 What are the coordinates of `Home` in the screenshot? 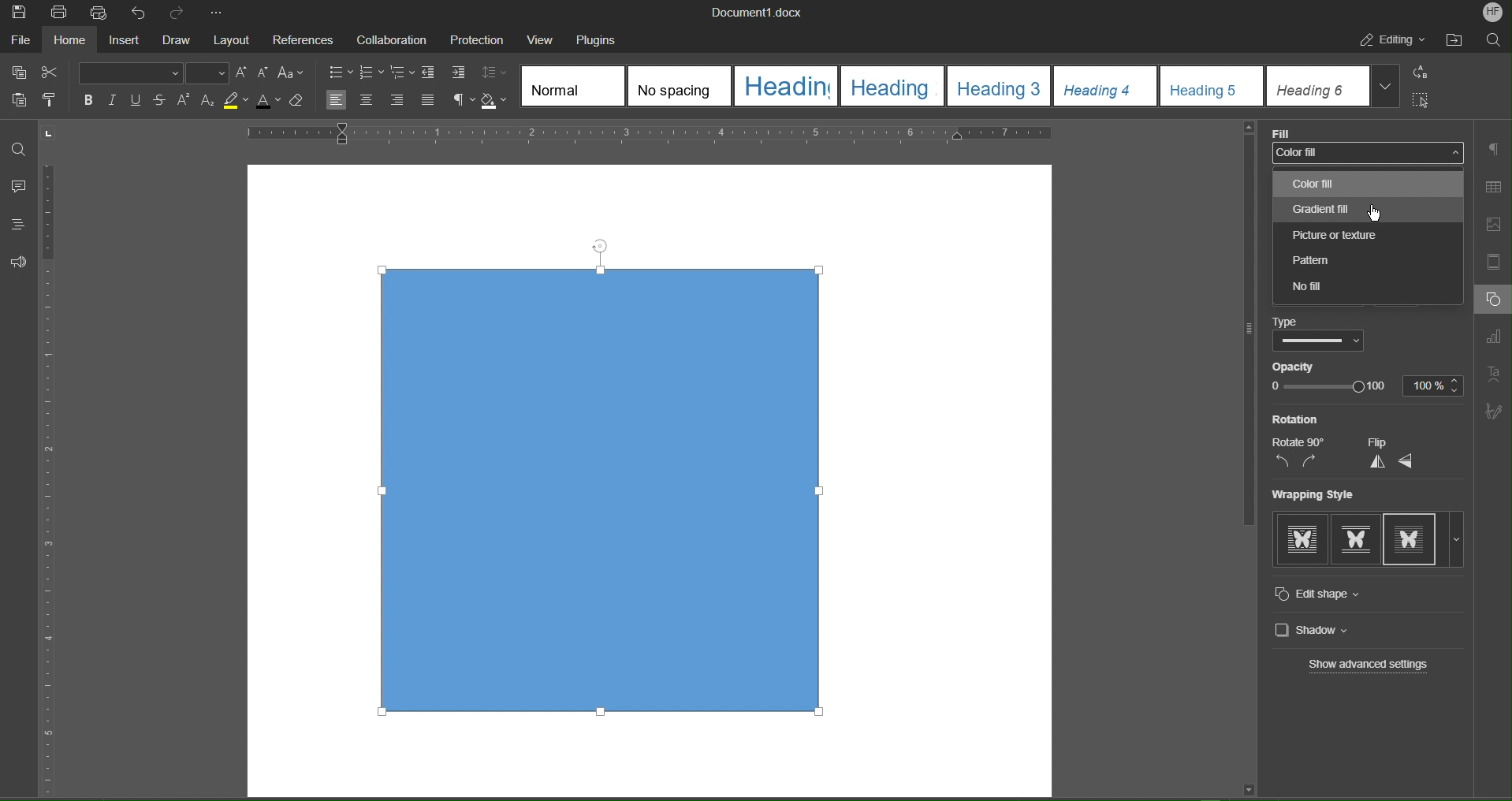 It's located at (67, 40).